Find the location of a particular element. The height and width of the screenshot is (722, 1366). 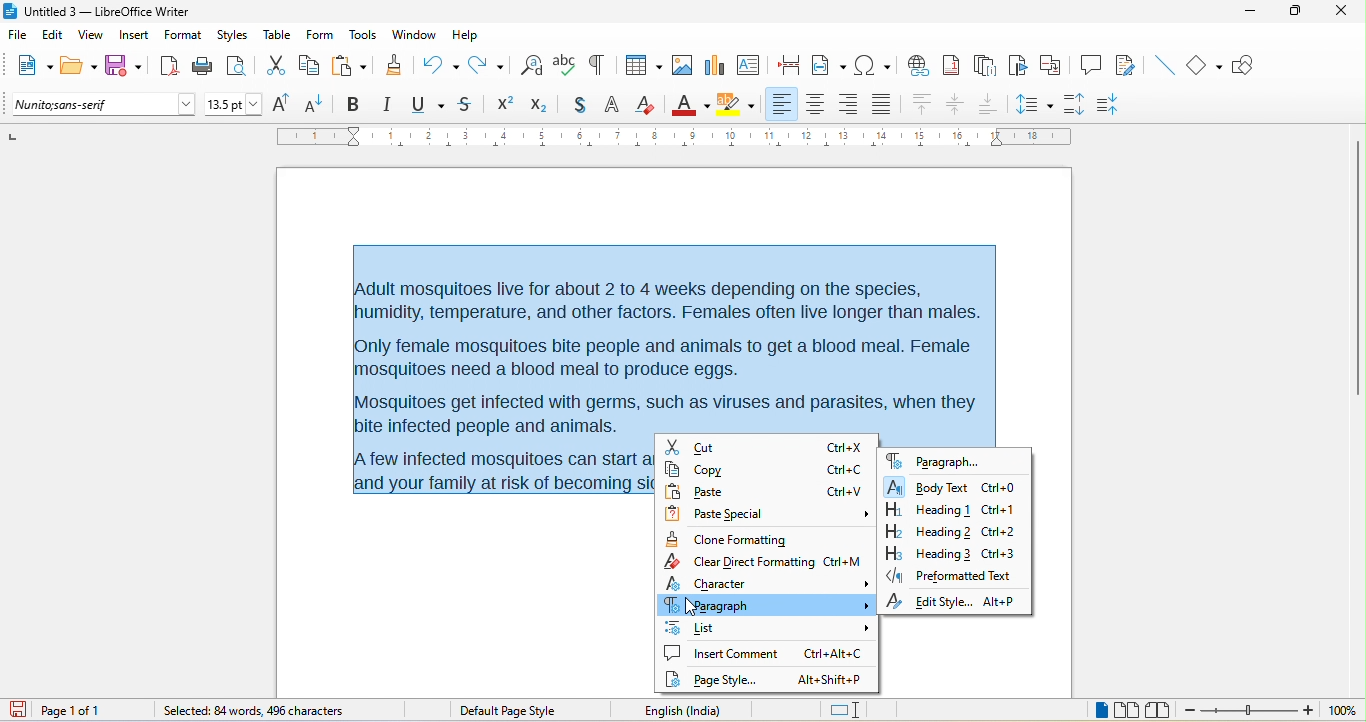

chart is located at coordinates (713, 64).